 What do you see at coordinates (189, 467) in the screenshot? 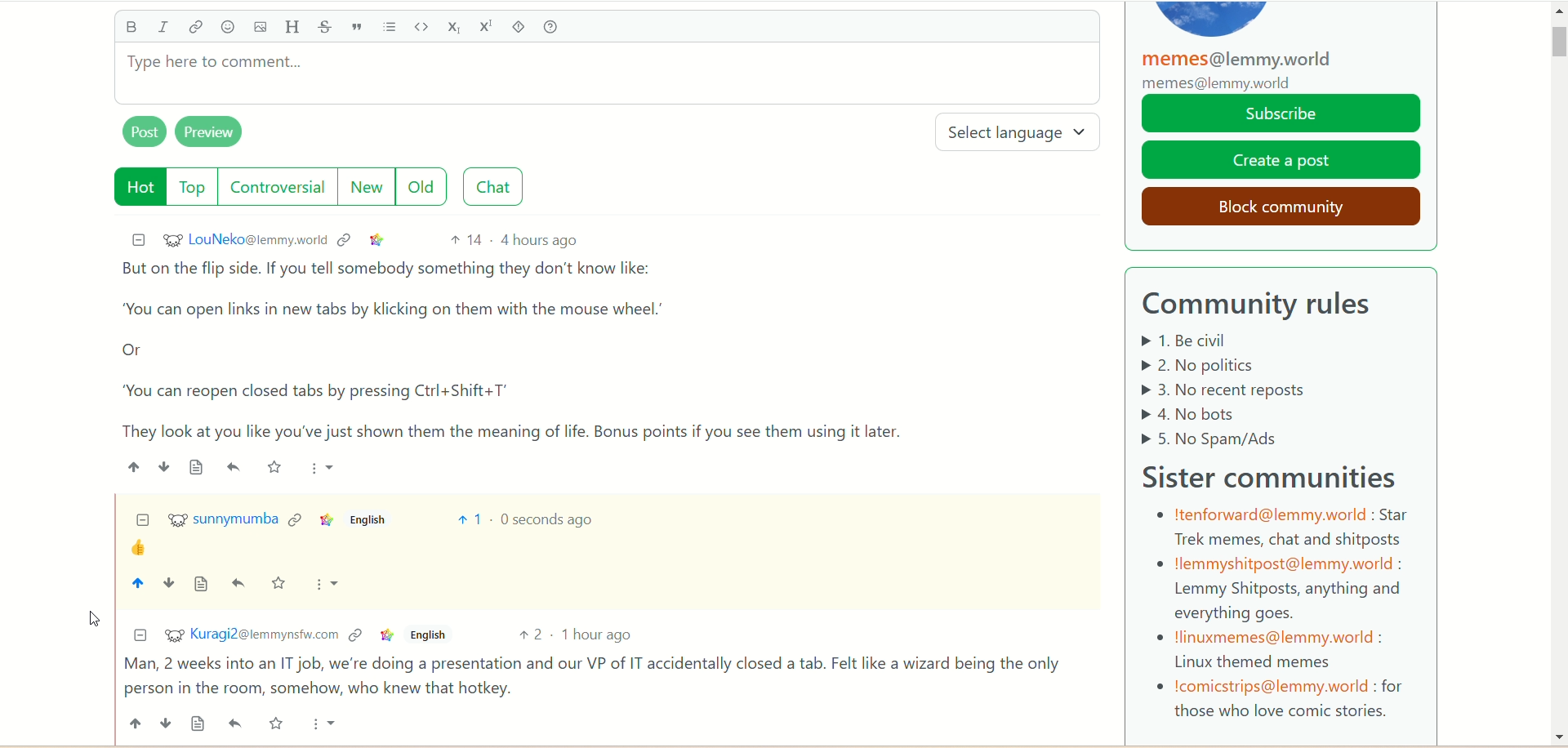
I see `source` at bounding box center [189, 467].